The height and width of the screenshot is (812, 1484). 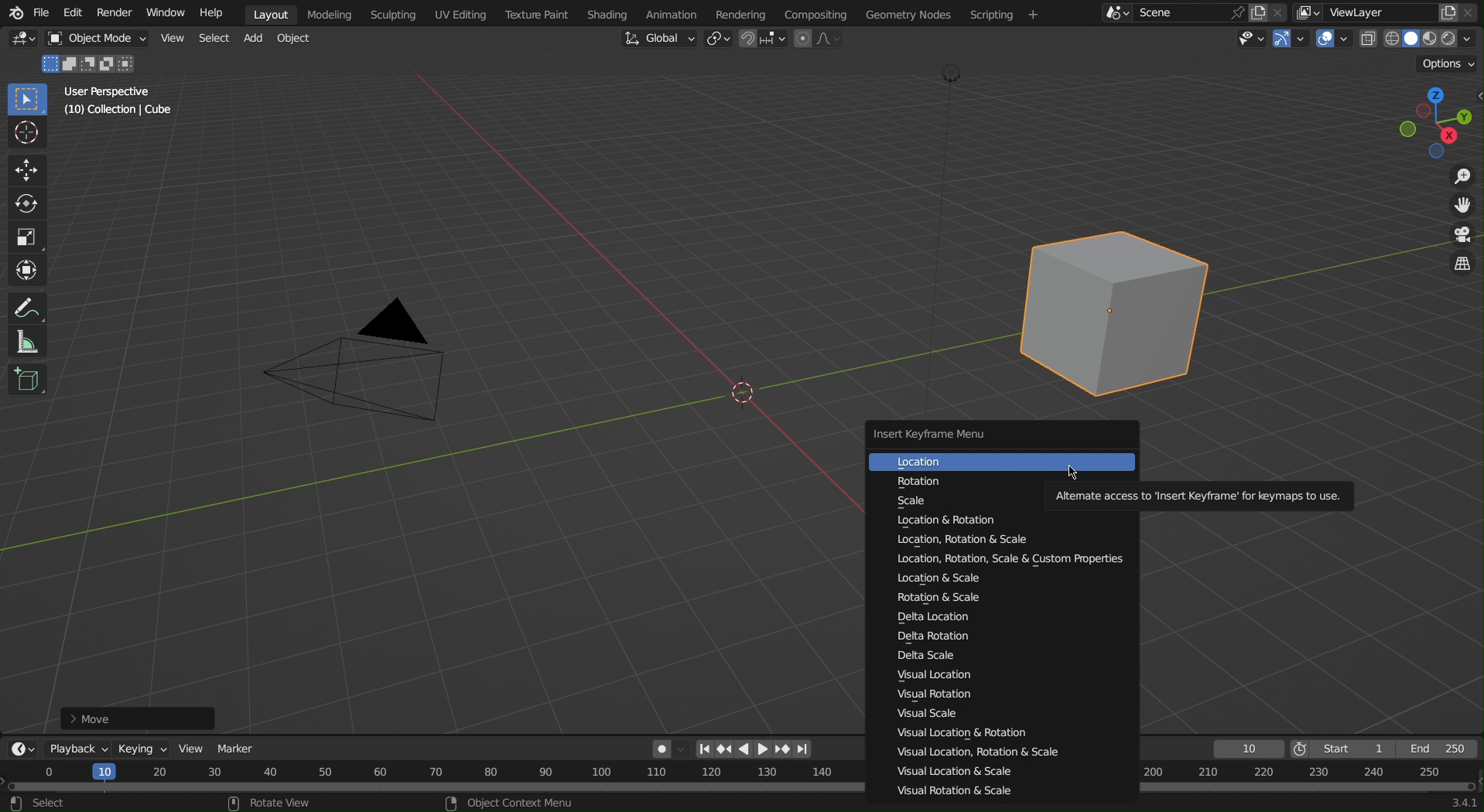 I want to click on Modeling, so click(x=333, y=12).